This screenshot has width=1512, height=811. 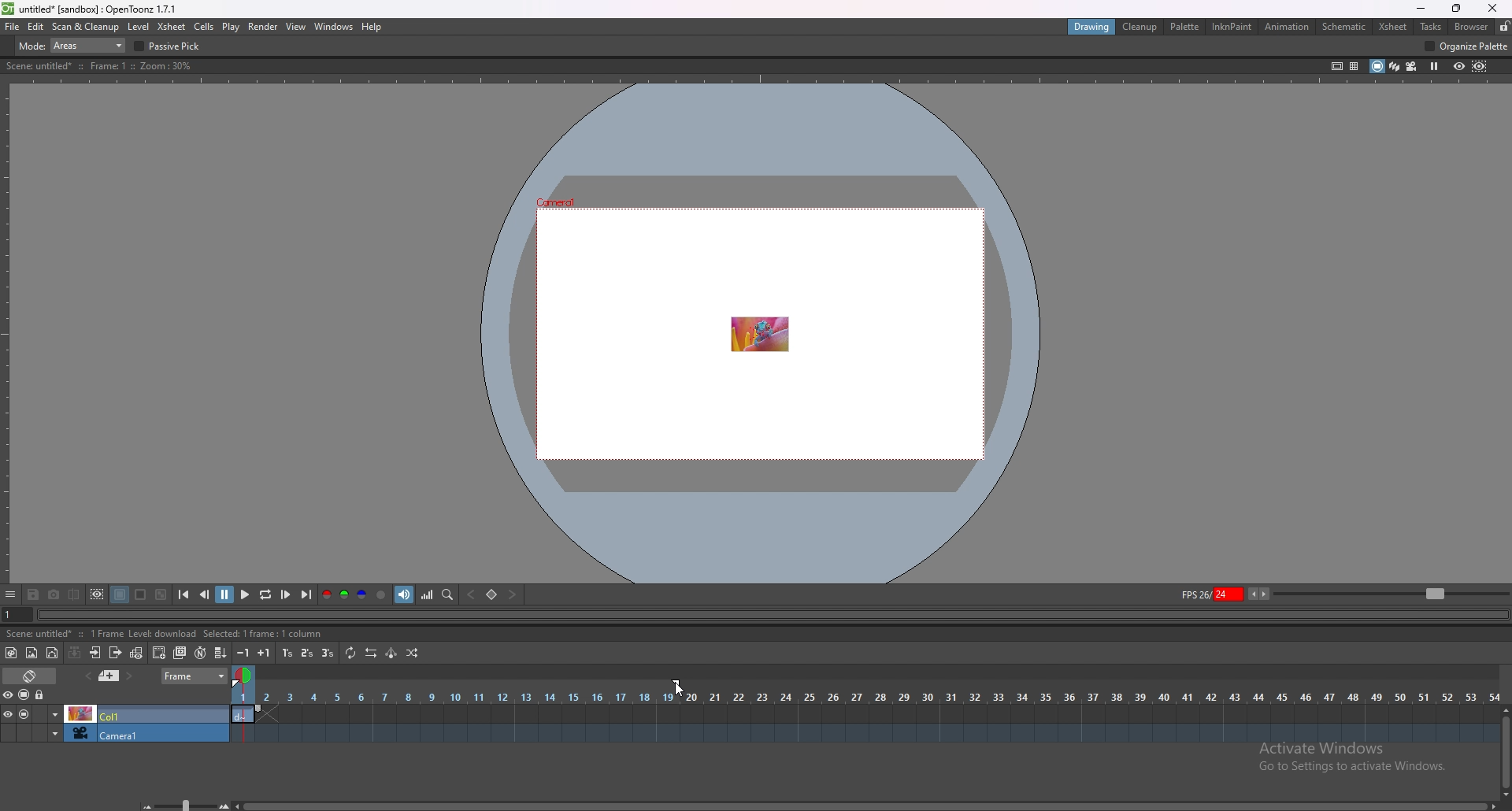 What do you see at coordinates (1504, 751) in the screenshot?
I see `scroll bar` at bounding box center [1504, 751].